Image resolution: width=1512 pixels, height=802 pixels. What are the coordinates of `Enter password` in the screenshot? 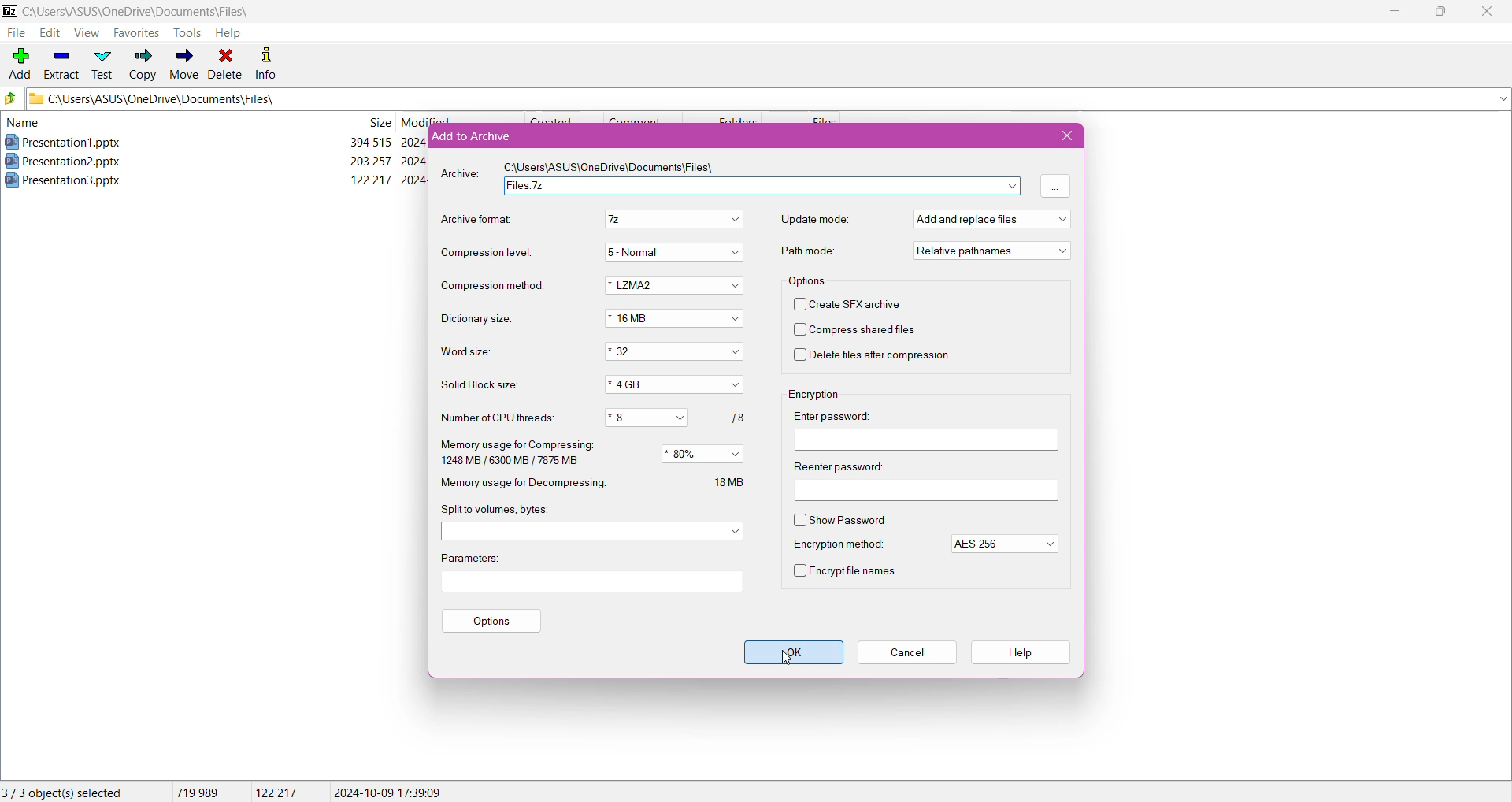 It's located at (841, 416).